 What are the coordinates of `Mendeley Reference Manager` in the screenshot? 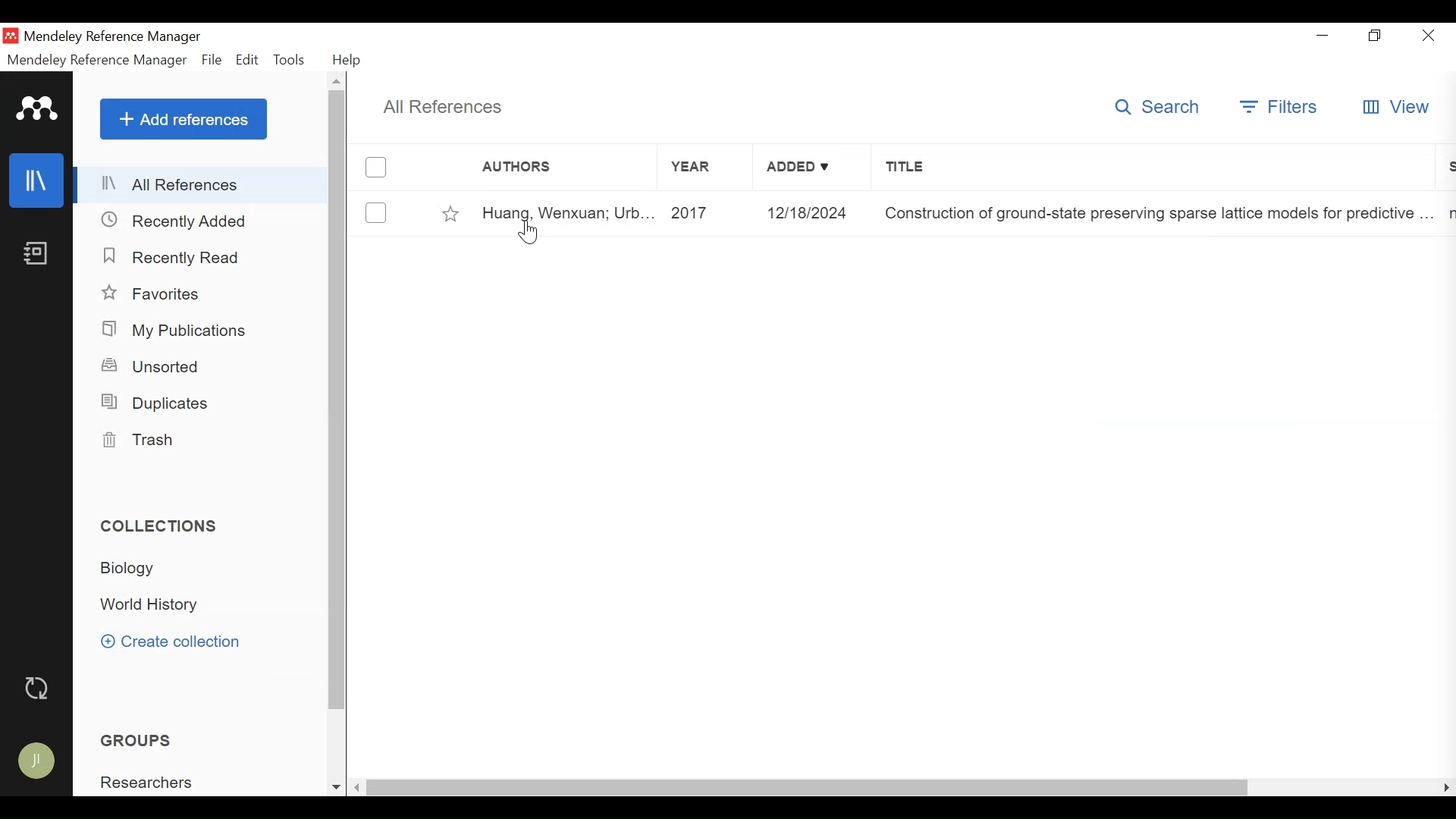 It's located at (98, 61).